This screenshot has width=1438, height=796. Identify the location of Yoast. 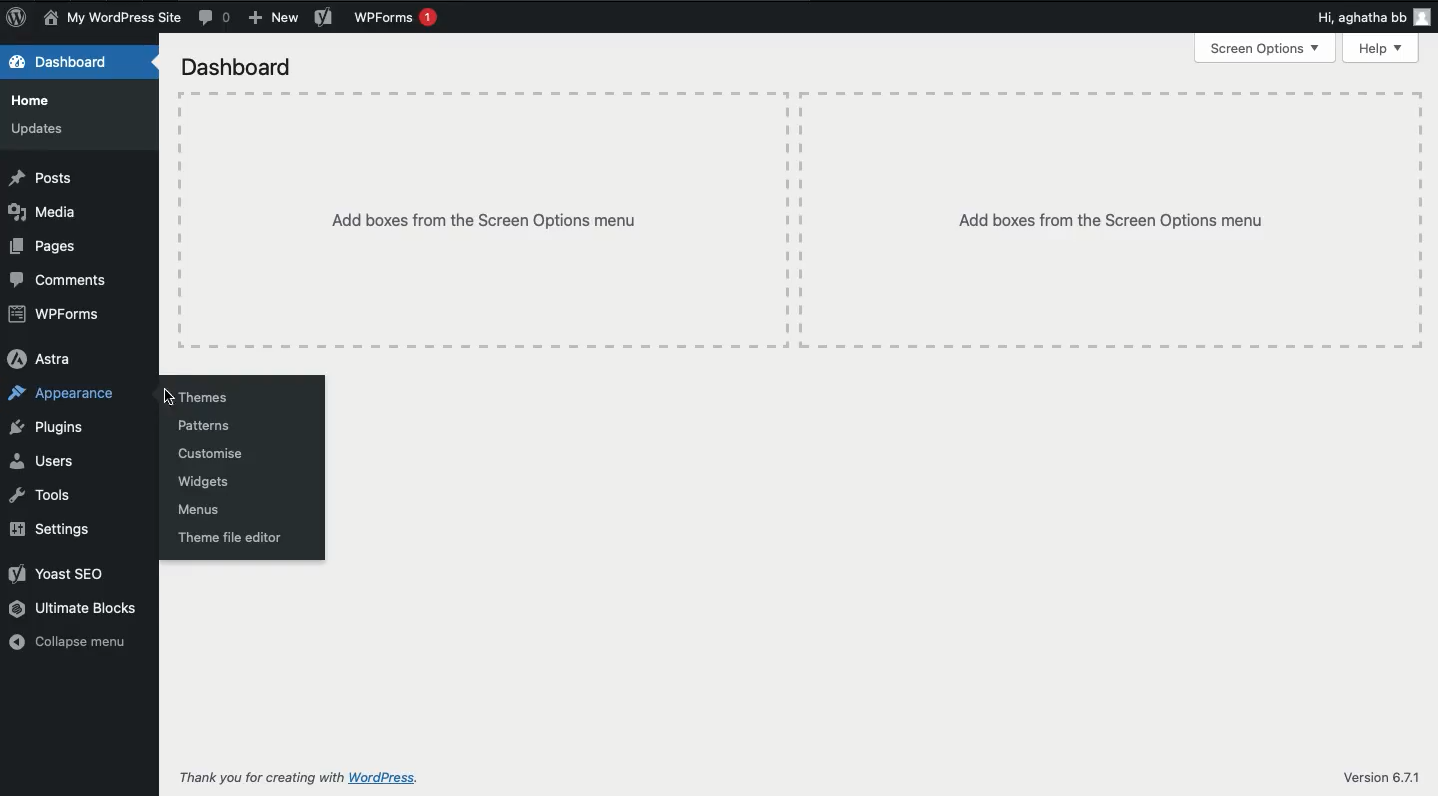
(320, 18).